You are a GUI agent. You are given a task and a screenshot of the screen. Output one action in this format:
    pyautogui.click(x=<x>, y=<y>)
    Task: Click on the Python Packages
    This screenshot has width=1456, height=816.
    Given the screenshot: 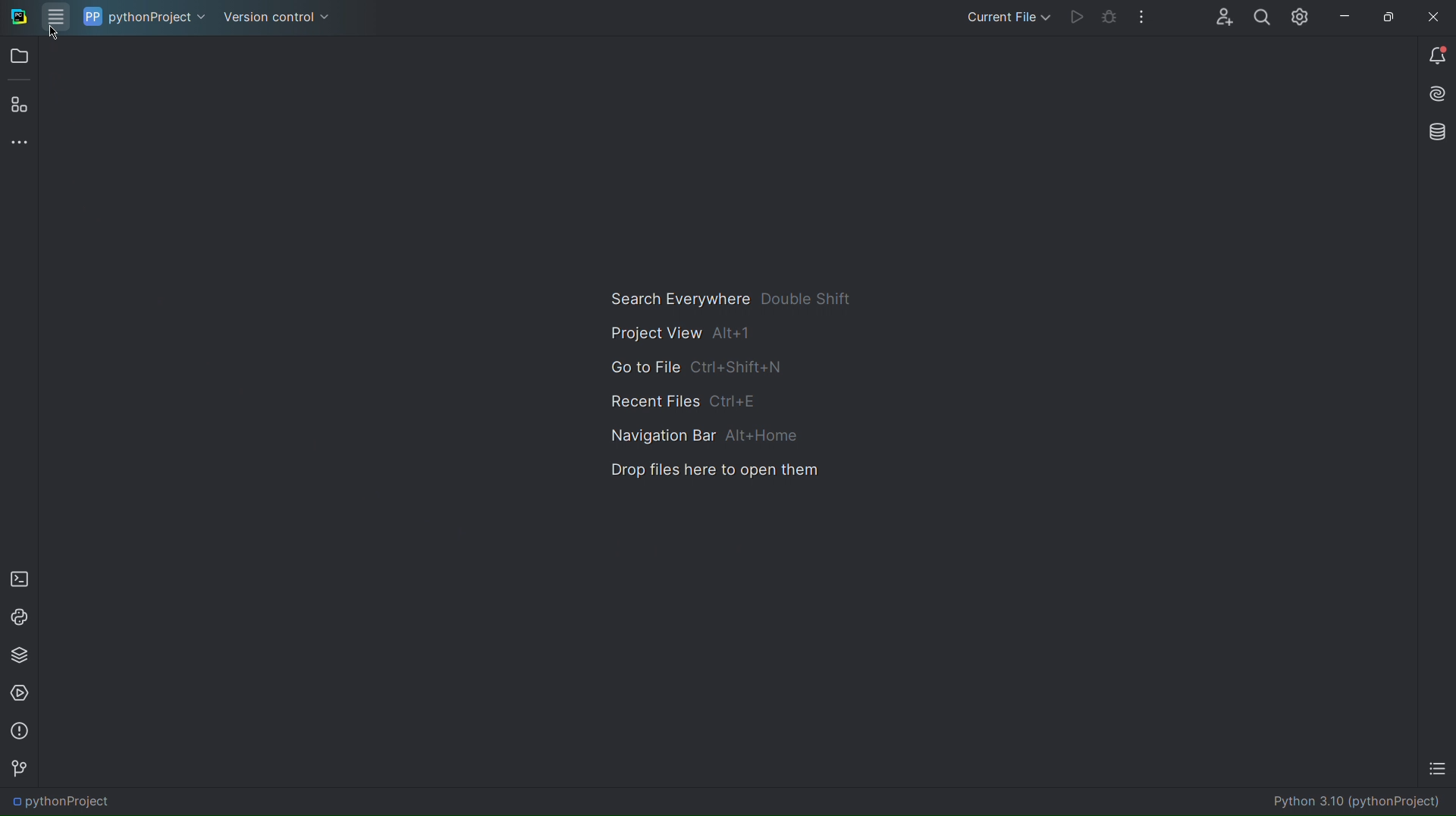 What is the action you would take?
    pyautogui.click(x=21, y=655)
    